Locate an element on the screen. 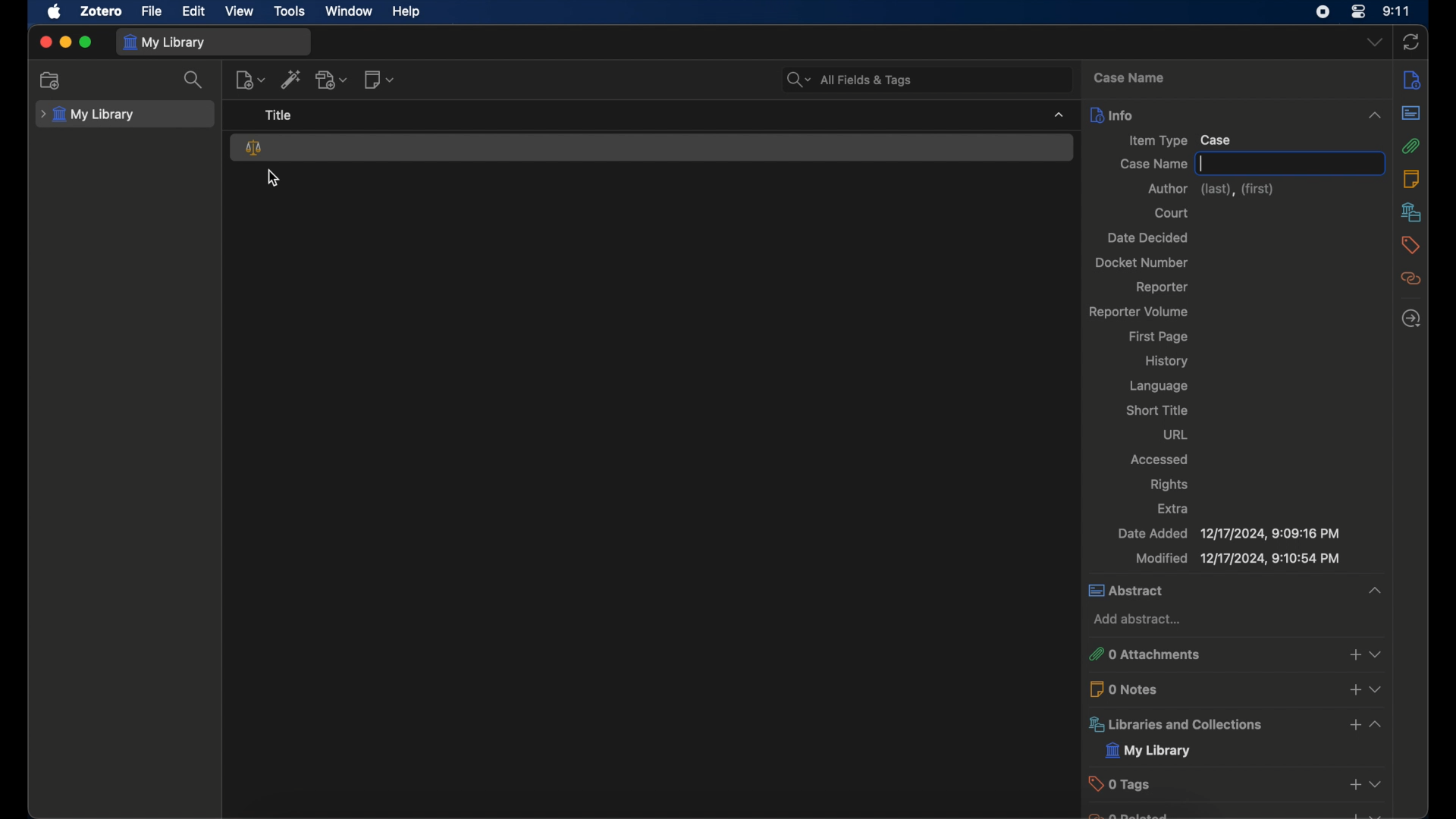 This screenshot has width=1456, height=819. reporter volume is located at coordinates (1137, 312).